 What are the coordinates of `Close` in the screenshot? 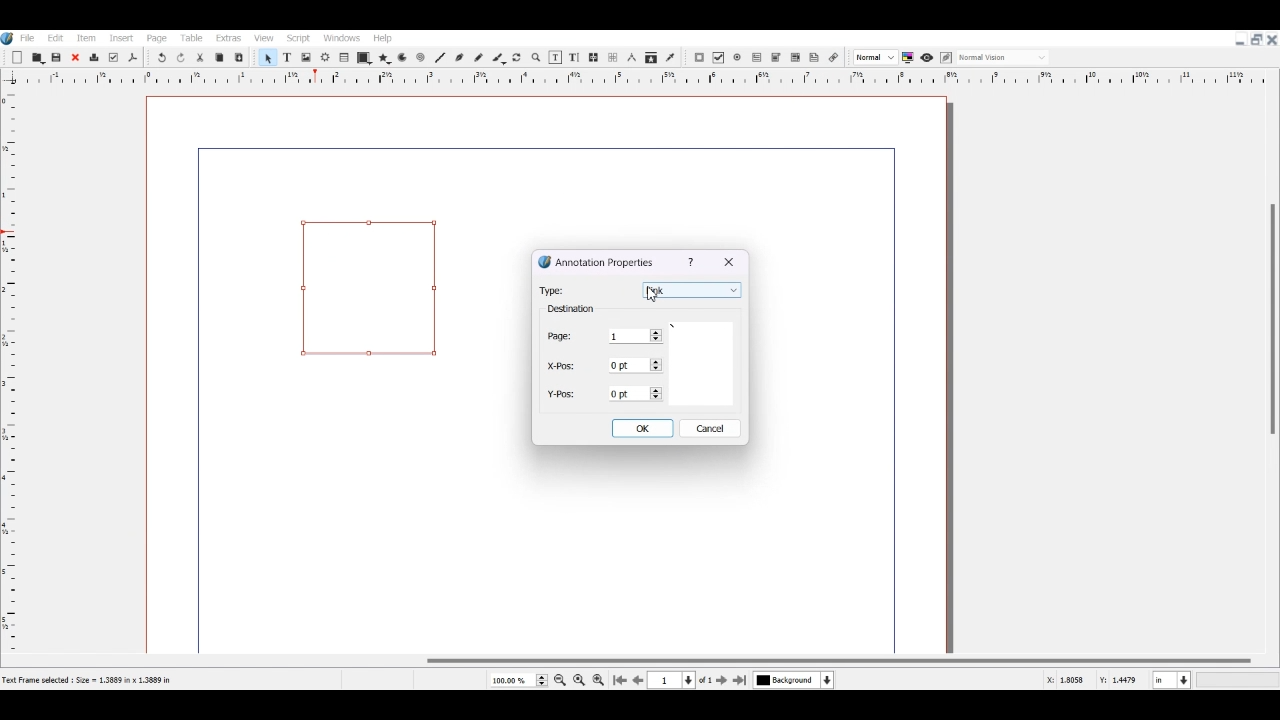 It's located at (1272, 39).